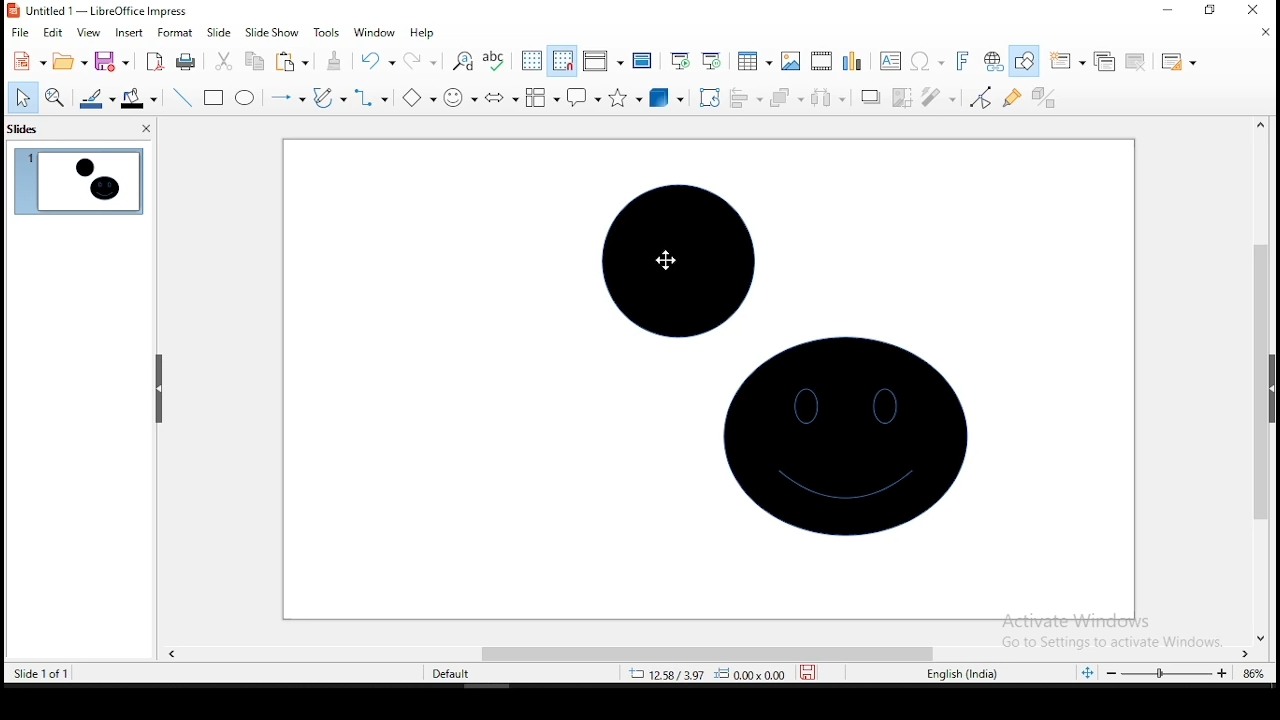 This screenshot has height=720, width=1280. I want to click on icon and filename, so click(98, 11).